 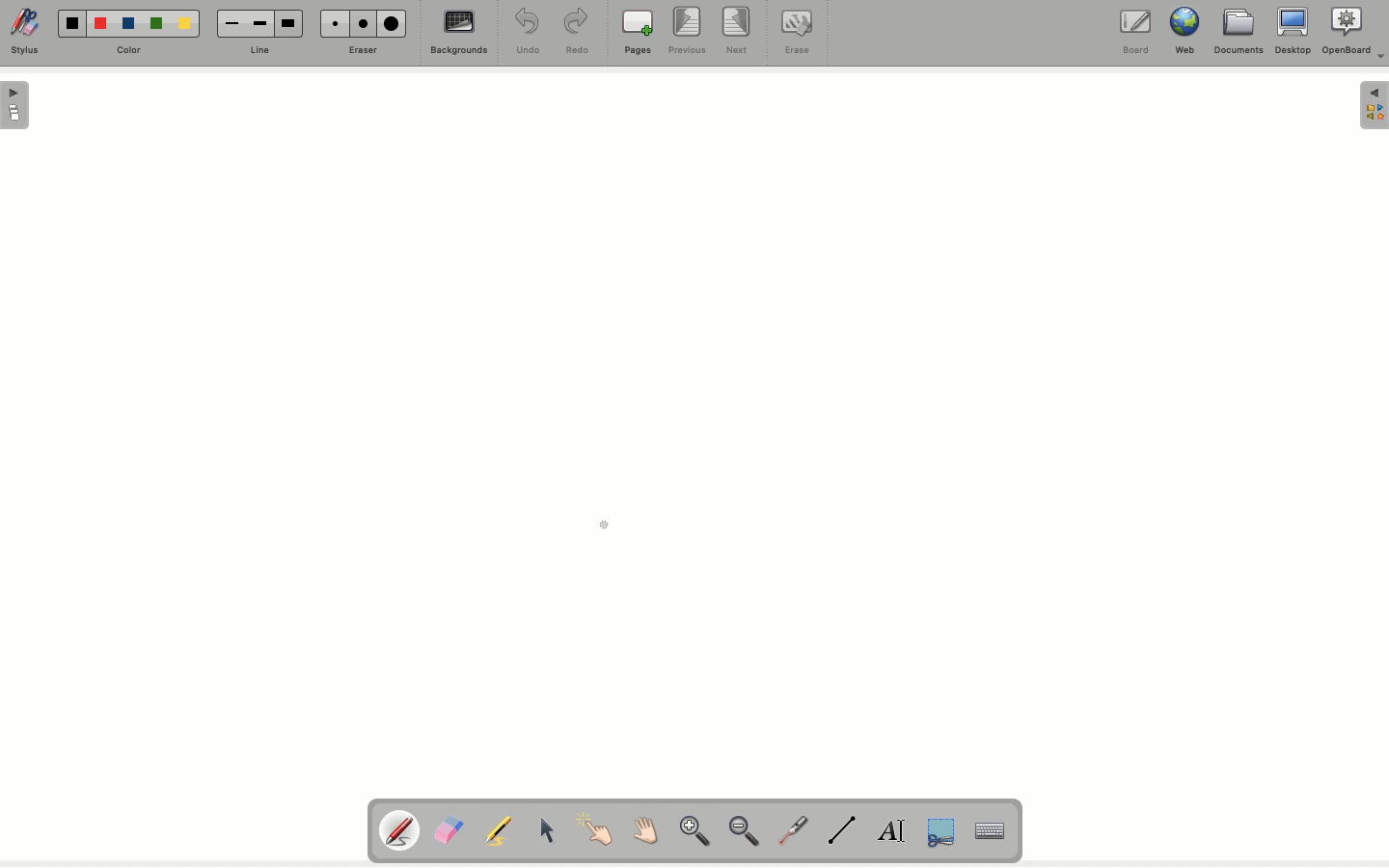 I want to click on Black, so click(x=73, y=22).